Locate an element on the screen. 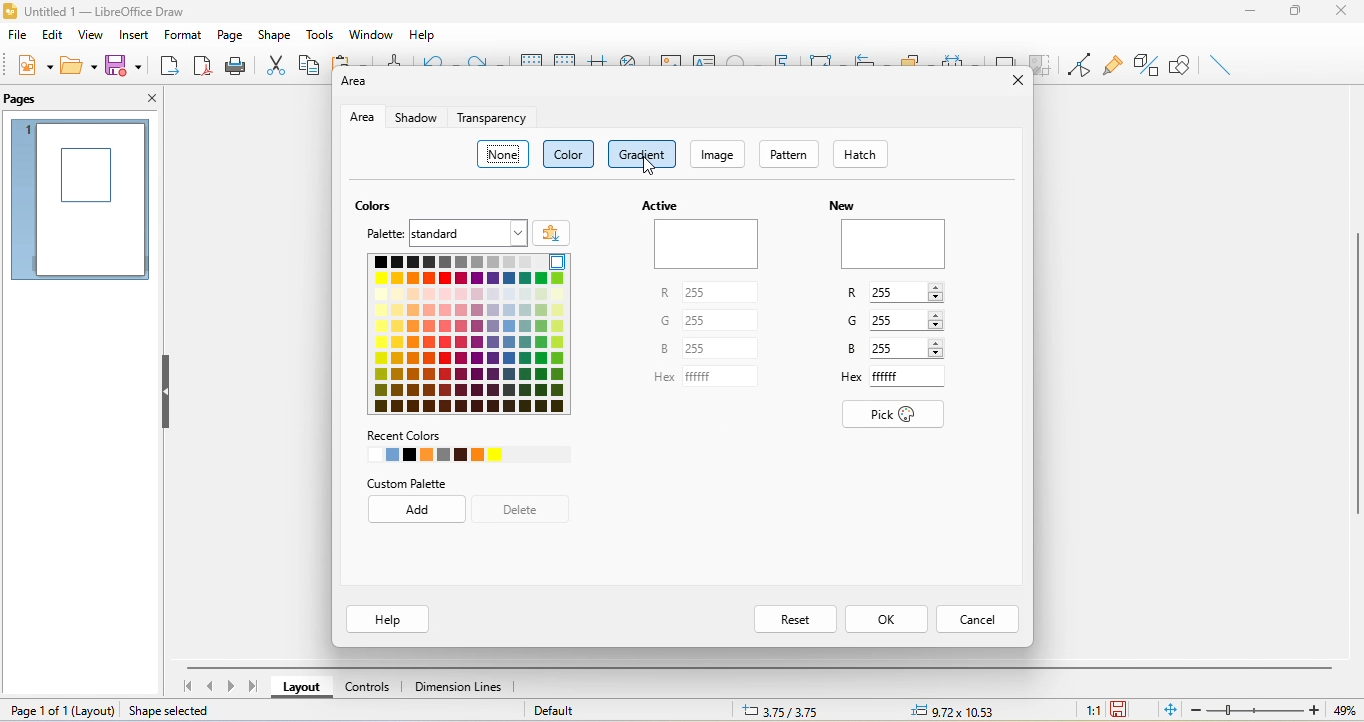 This screenshot has height=722, width=1364. toggle extrusion is located at coordinates (1146, 65).